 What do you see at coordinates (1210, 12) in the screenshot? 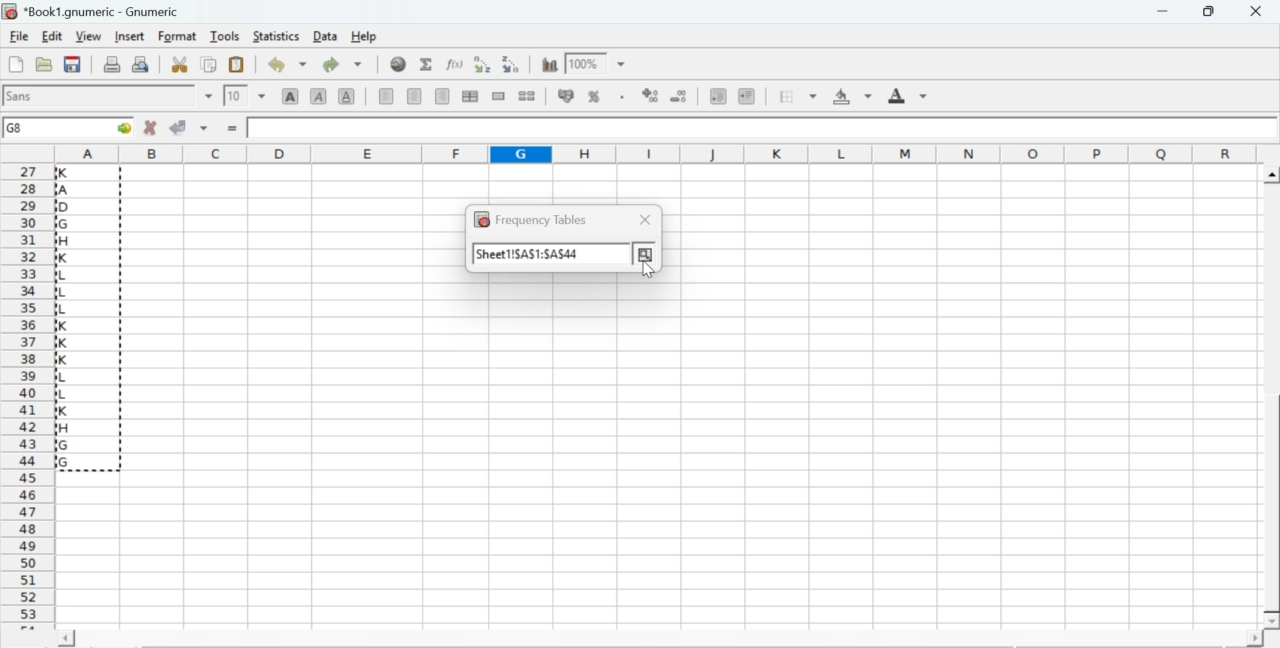
I see `restore down` at bounding box center [1210, 12].